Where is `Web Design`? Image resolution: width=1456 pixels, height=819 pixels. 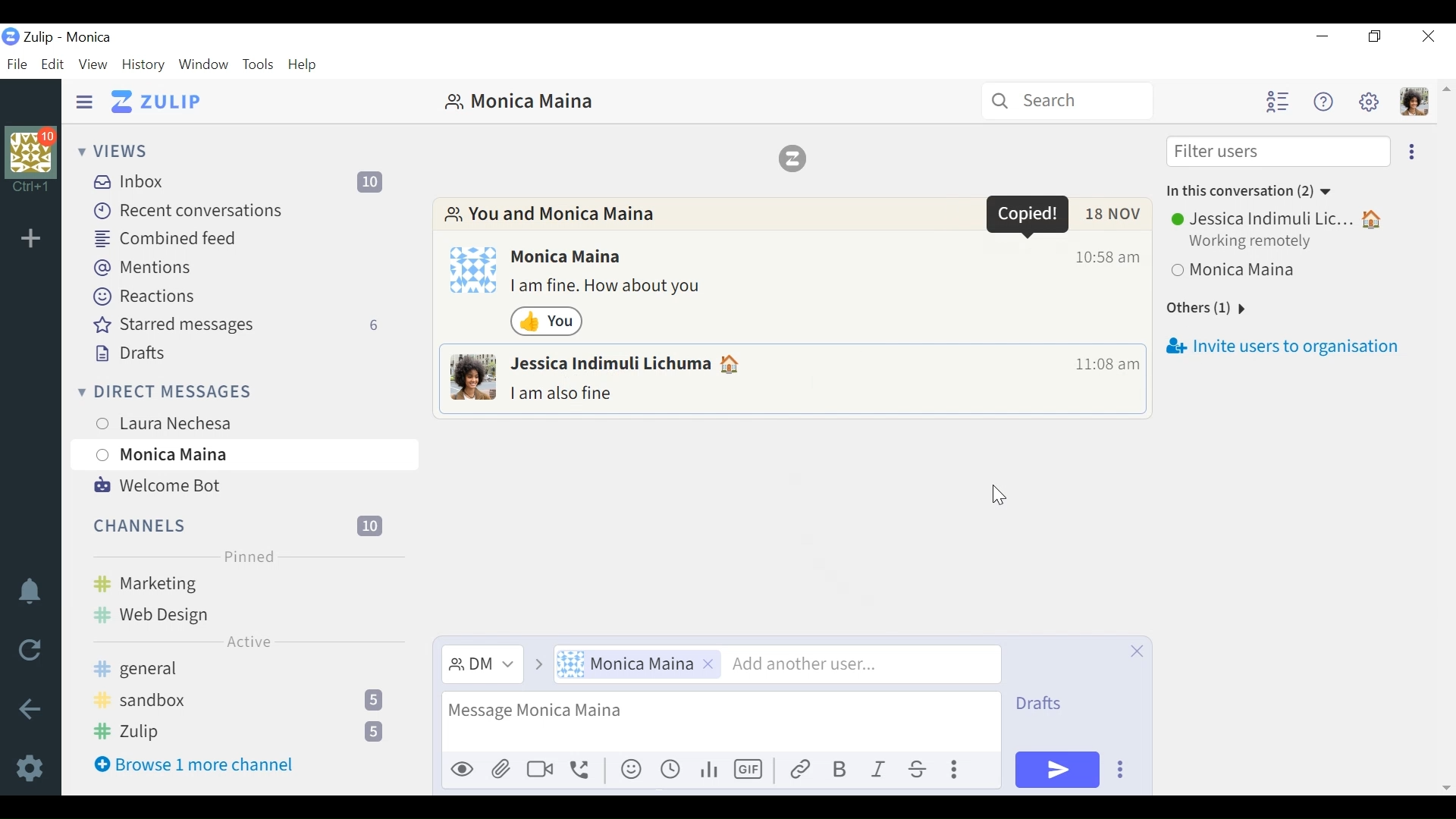 Web Design is located at coordinates (186, 612).